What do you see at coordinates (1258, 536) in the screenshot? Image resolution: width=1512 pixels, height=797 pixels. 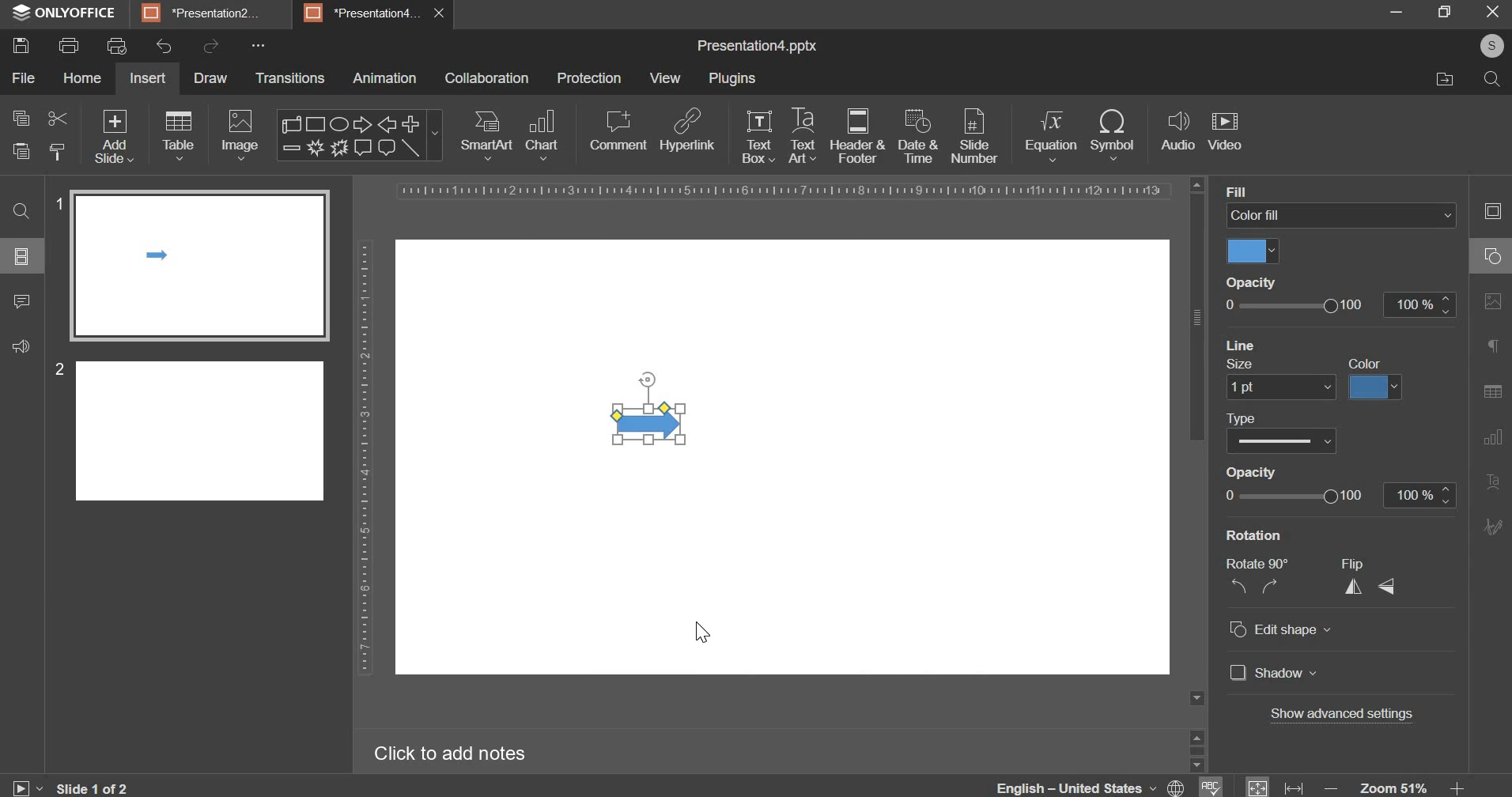 I see `Rotation` at bounding box center [1258, 536].